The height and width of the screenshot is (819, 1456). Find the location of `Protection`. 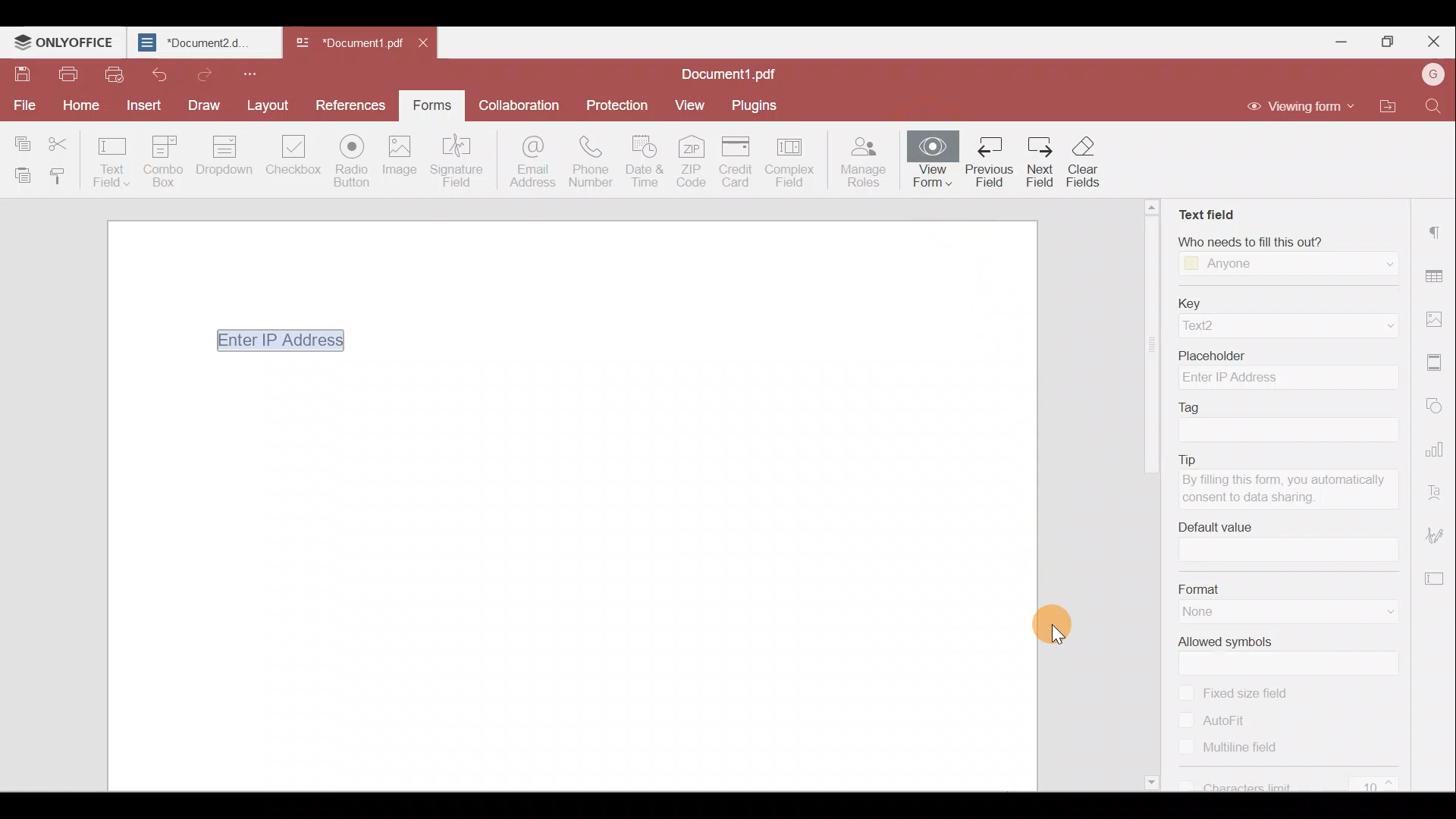

Protection is located at coordinates (622, 104).